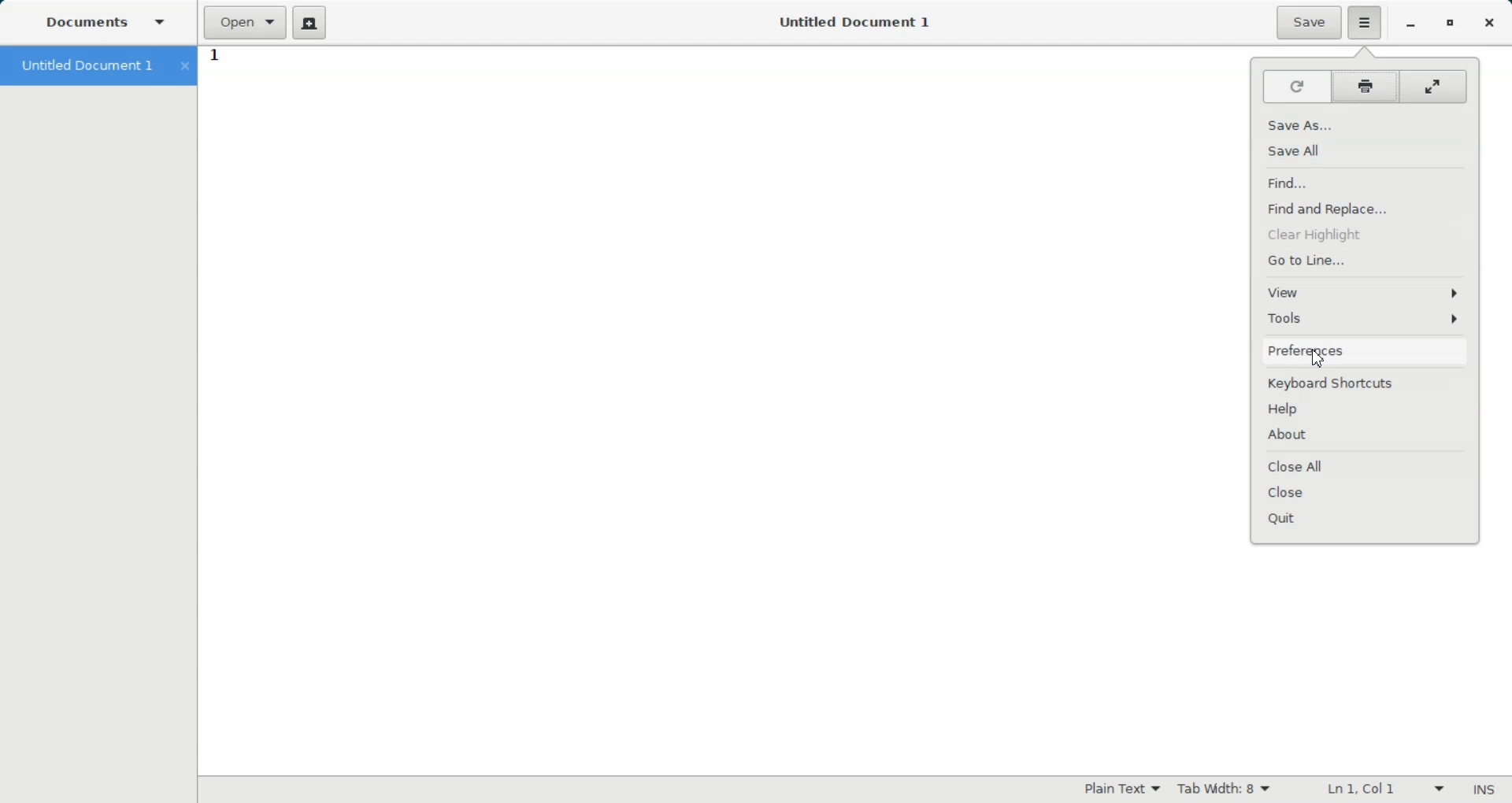  What do you see at coordinates (96, 66) in the screenshot?
I see `Untitled Document 1 ` at bounding box center [96, 66].